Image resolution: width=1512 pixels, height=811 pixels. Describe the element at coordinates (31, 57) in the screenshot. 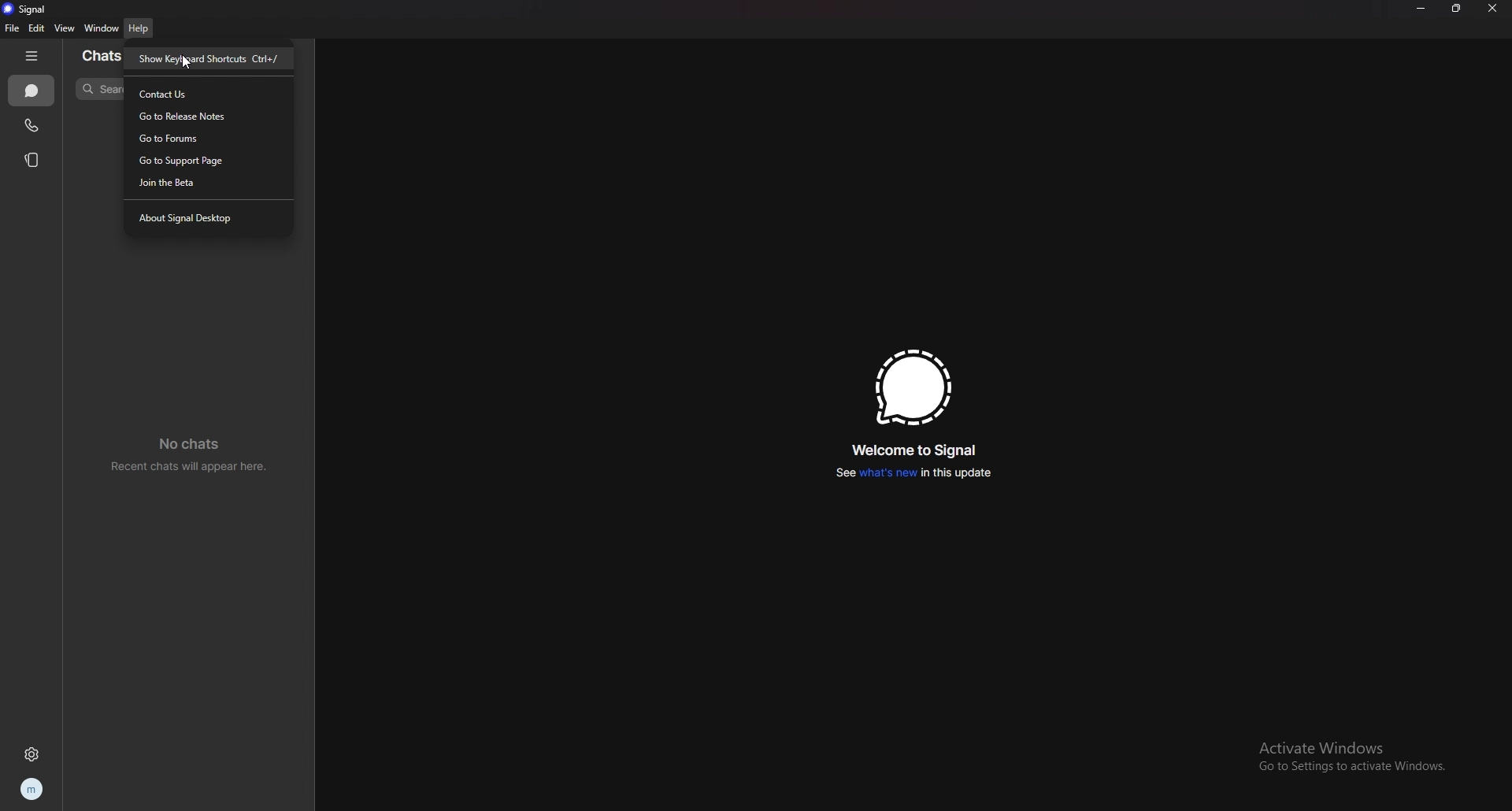

I see `hide tab` at that location.